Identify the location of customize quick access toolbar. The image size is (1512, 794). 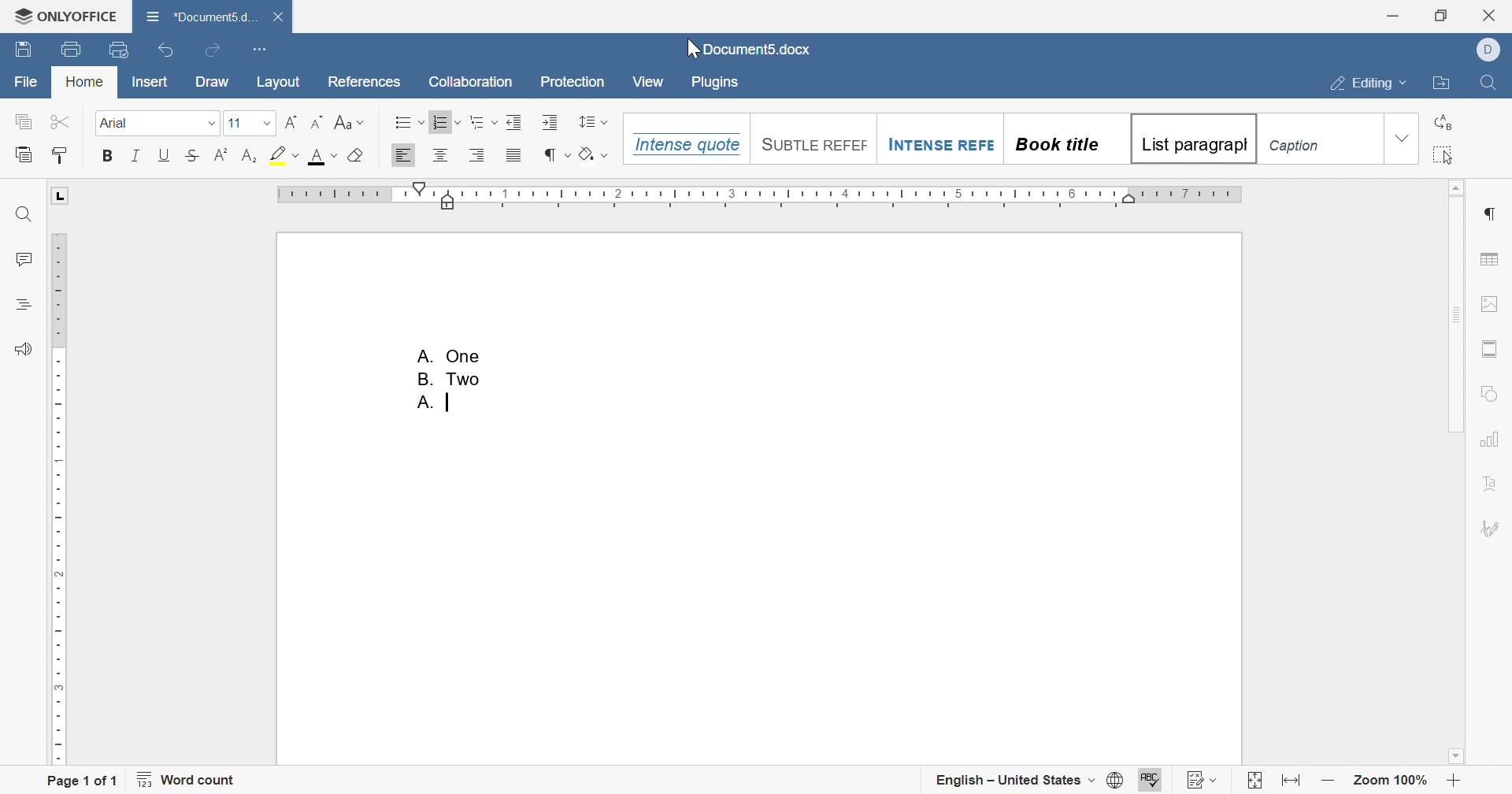
(263, 50).